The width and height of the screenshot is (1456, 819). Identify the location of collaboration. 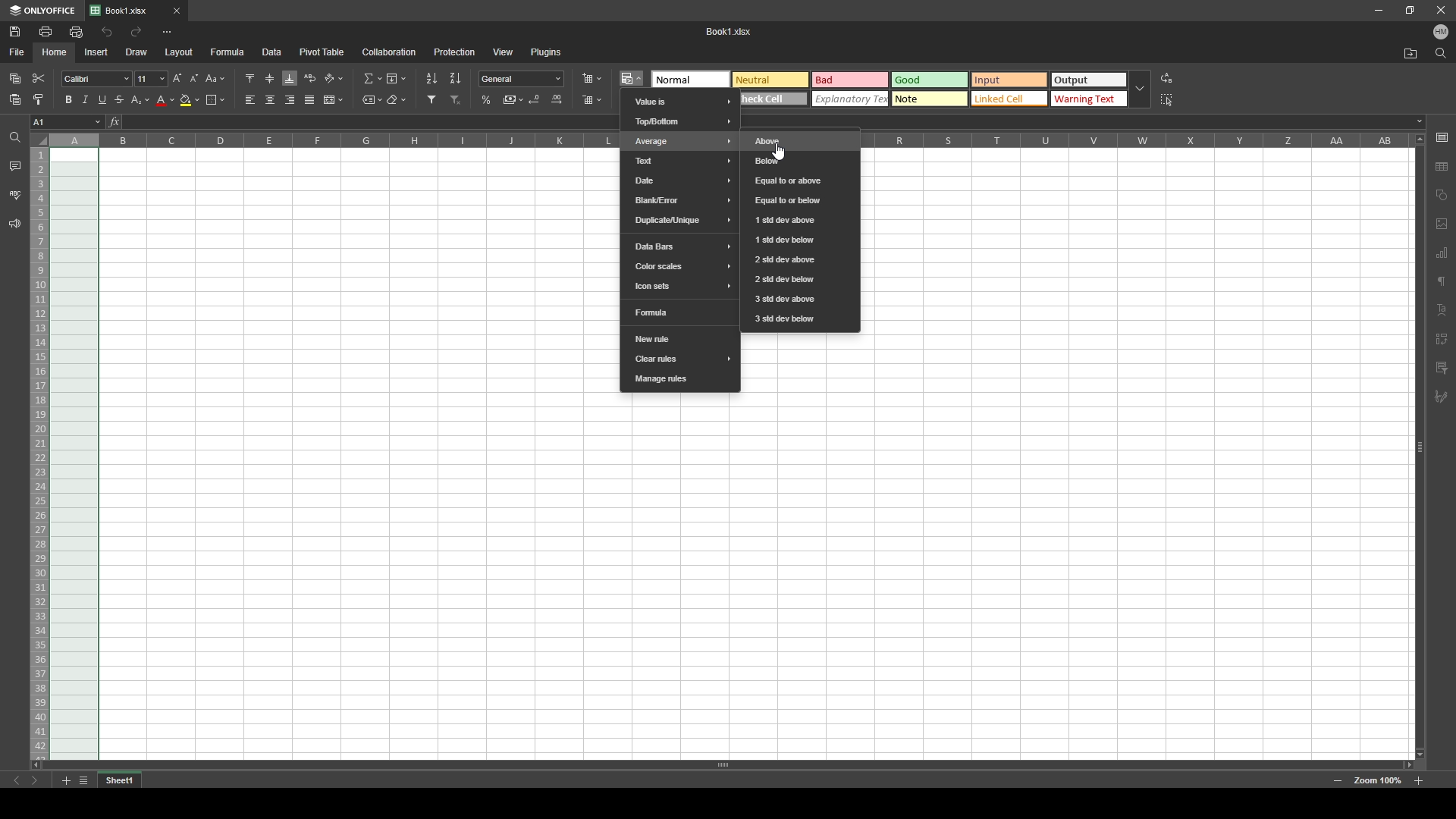
(389, 52).